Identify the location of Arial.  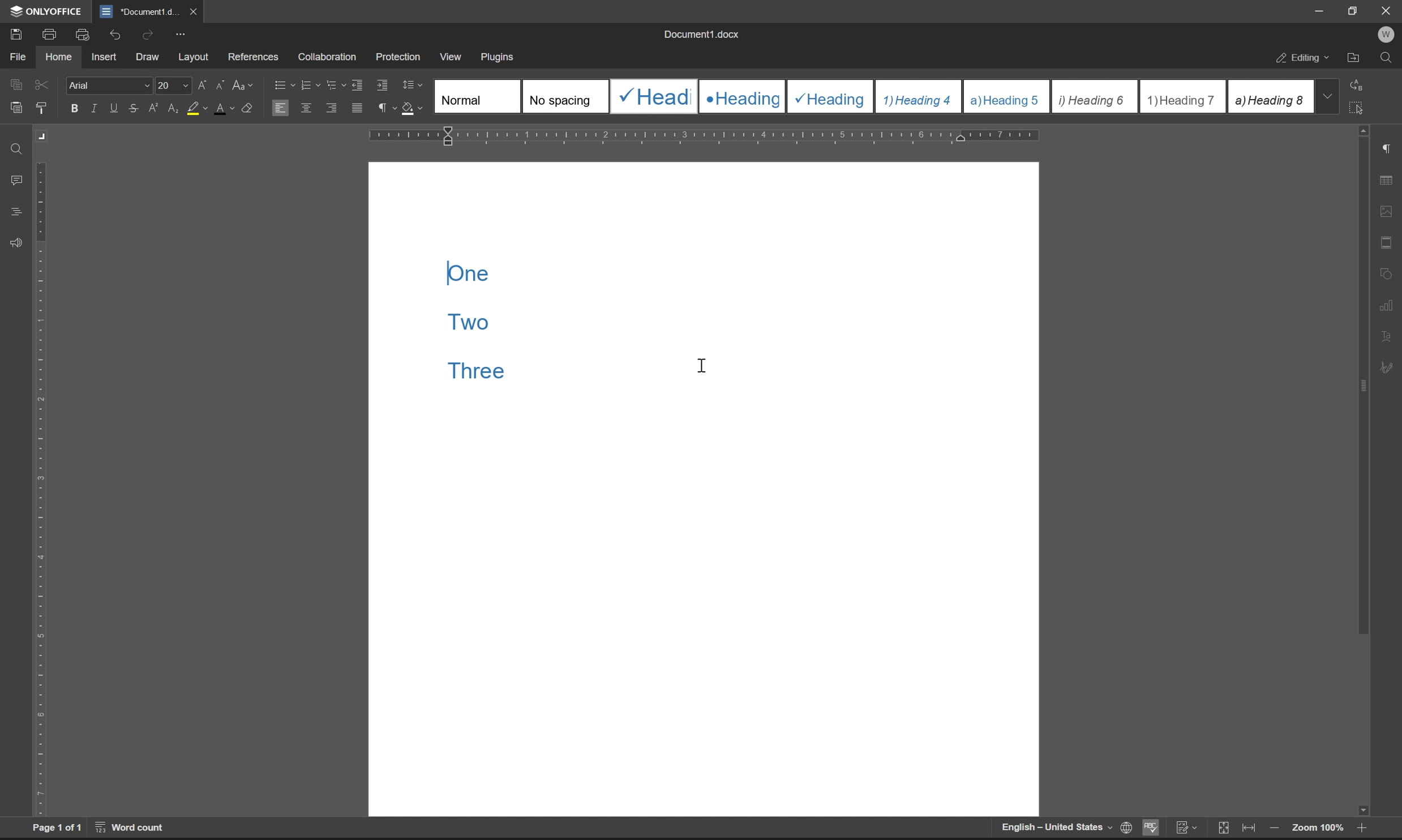
(108, 84).